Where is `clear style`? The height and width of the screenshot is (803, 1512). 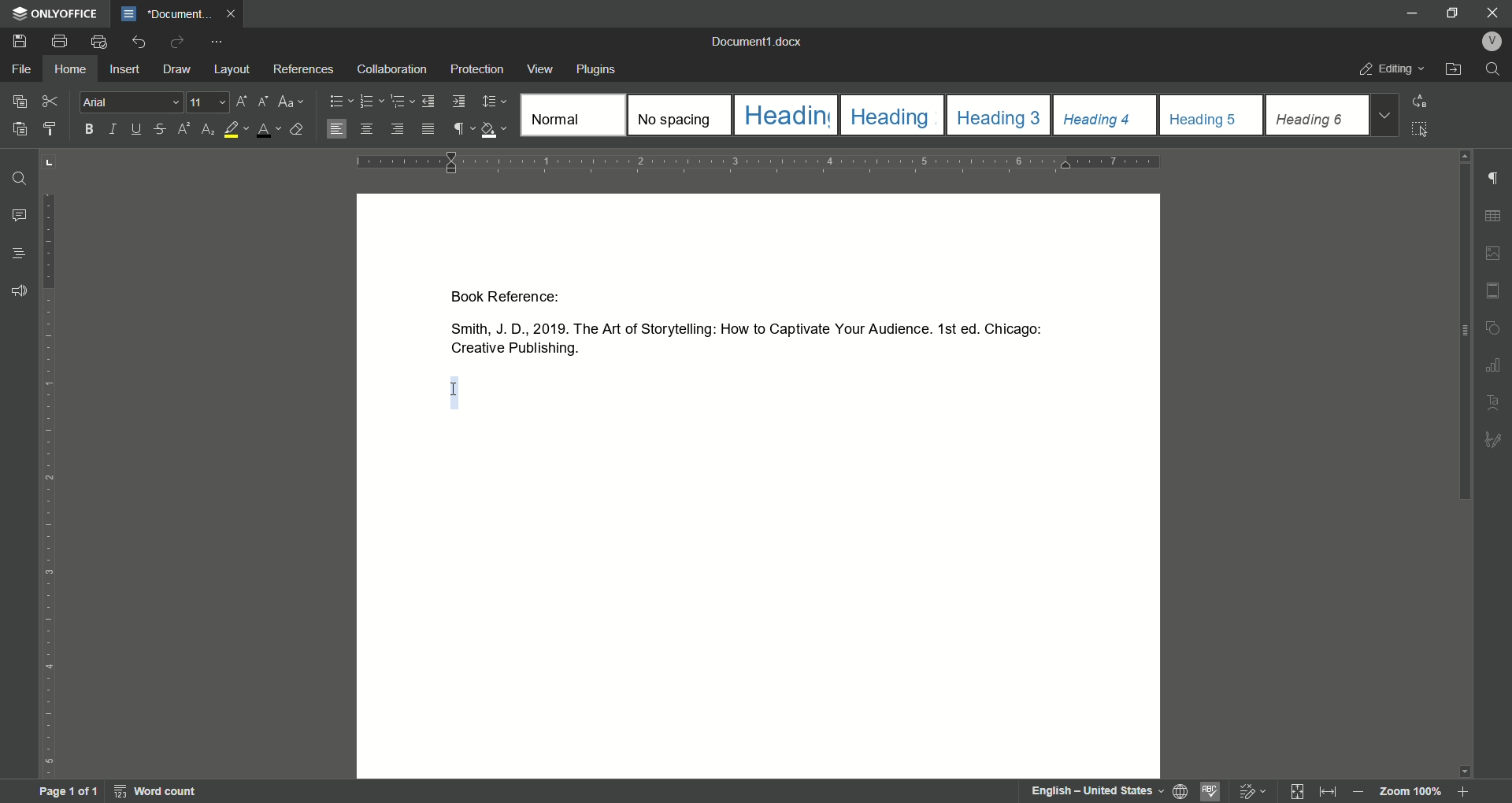
clear style is located at coordinates (299, 129).